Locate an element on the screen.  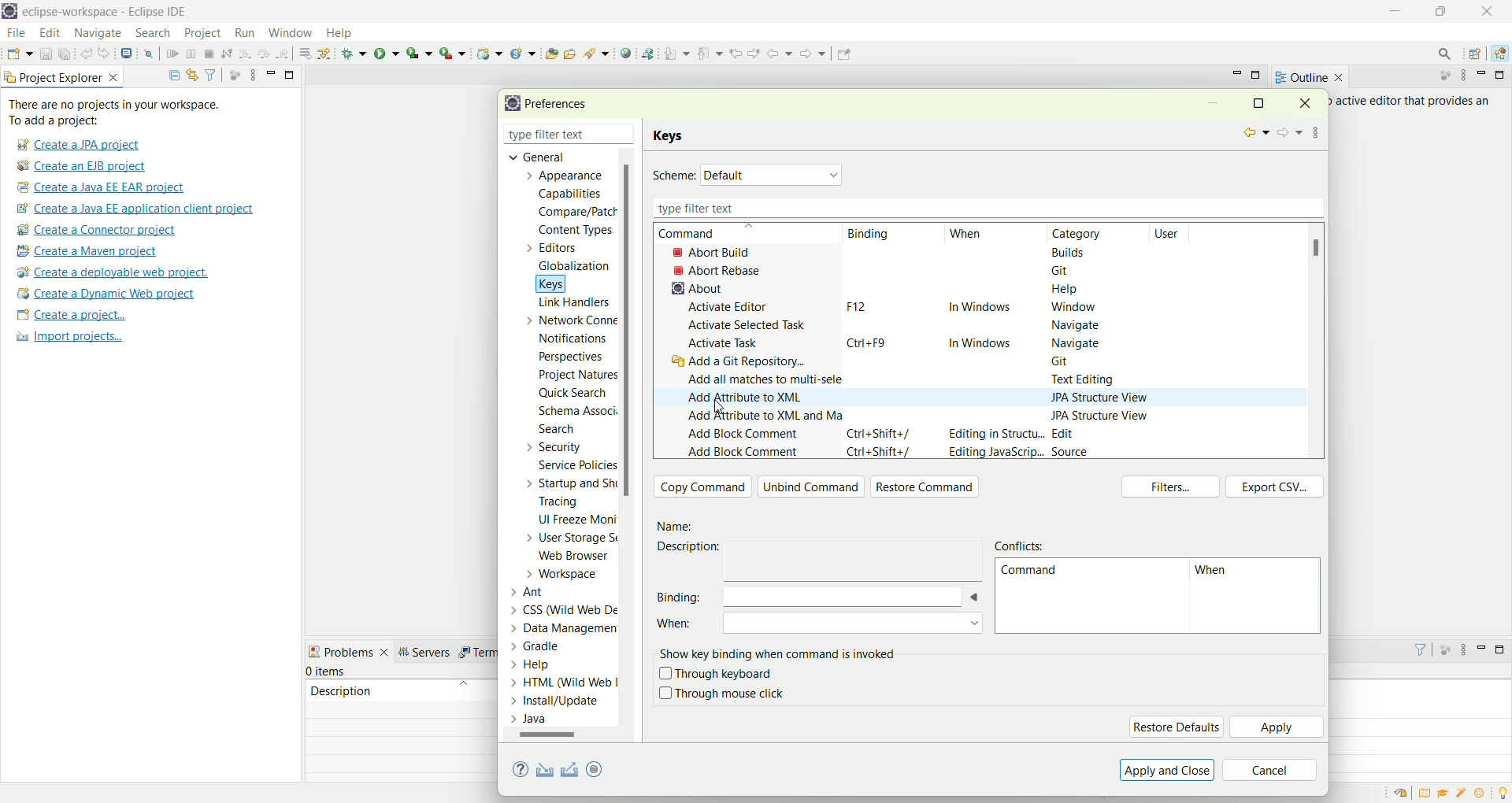
JPA structure view is located at coordinates (1081, 415).